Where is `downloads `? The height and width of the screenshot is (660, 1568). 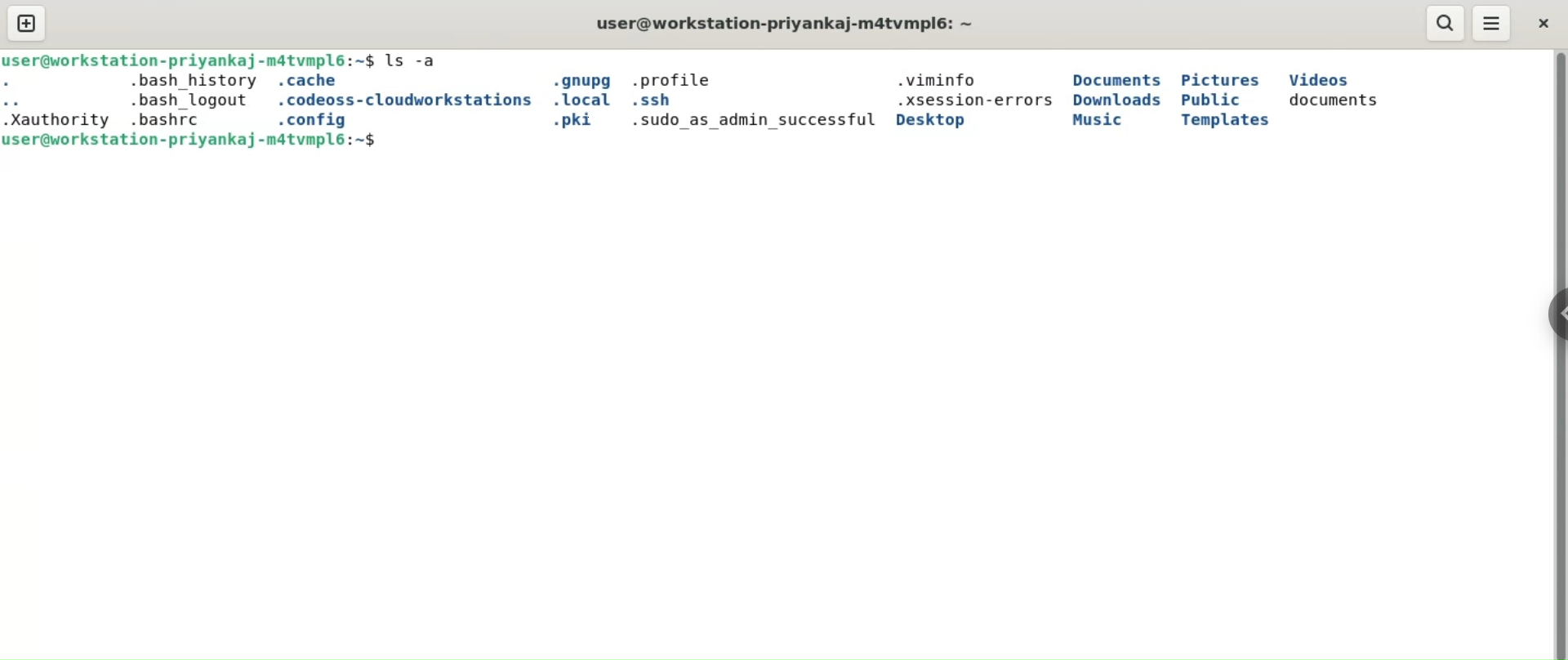
downloads  is located at coordinates (1118, 102).